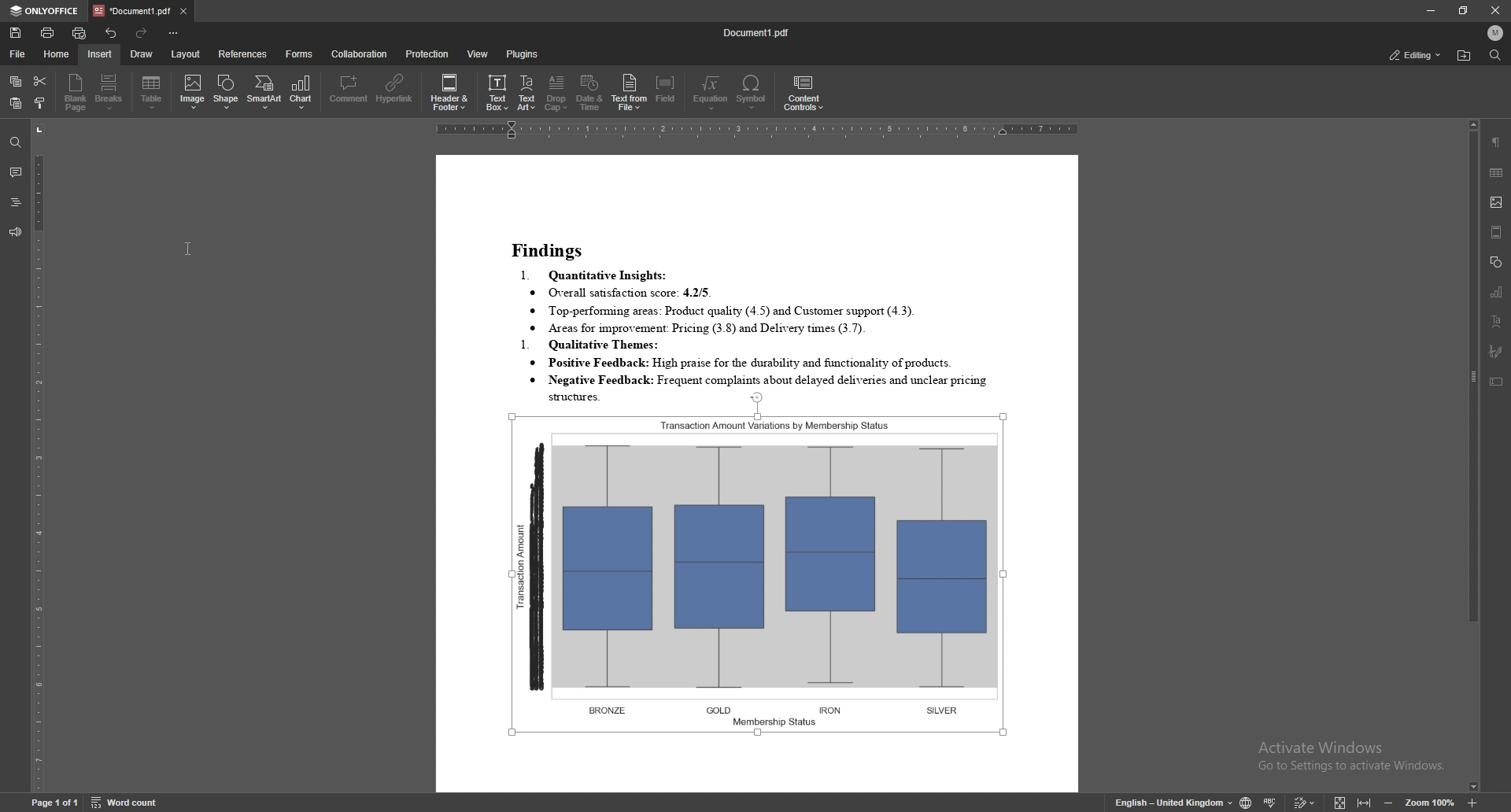 The image size is (1511, 812). I want to click on track changes, so click(1305, 802).